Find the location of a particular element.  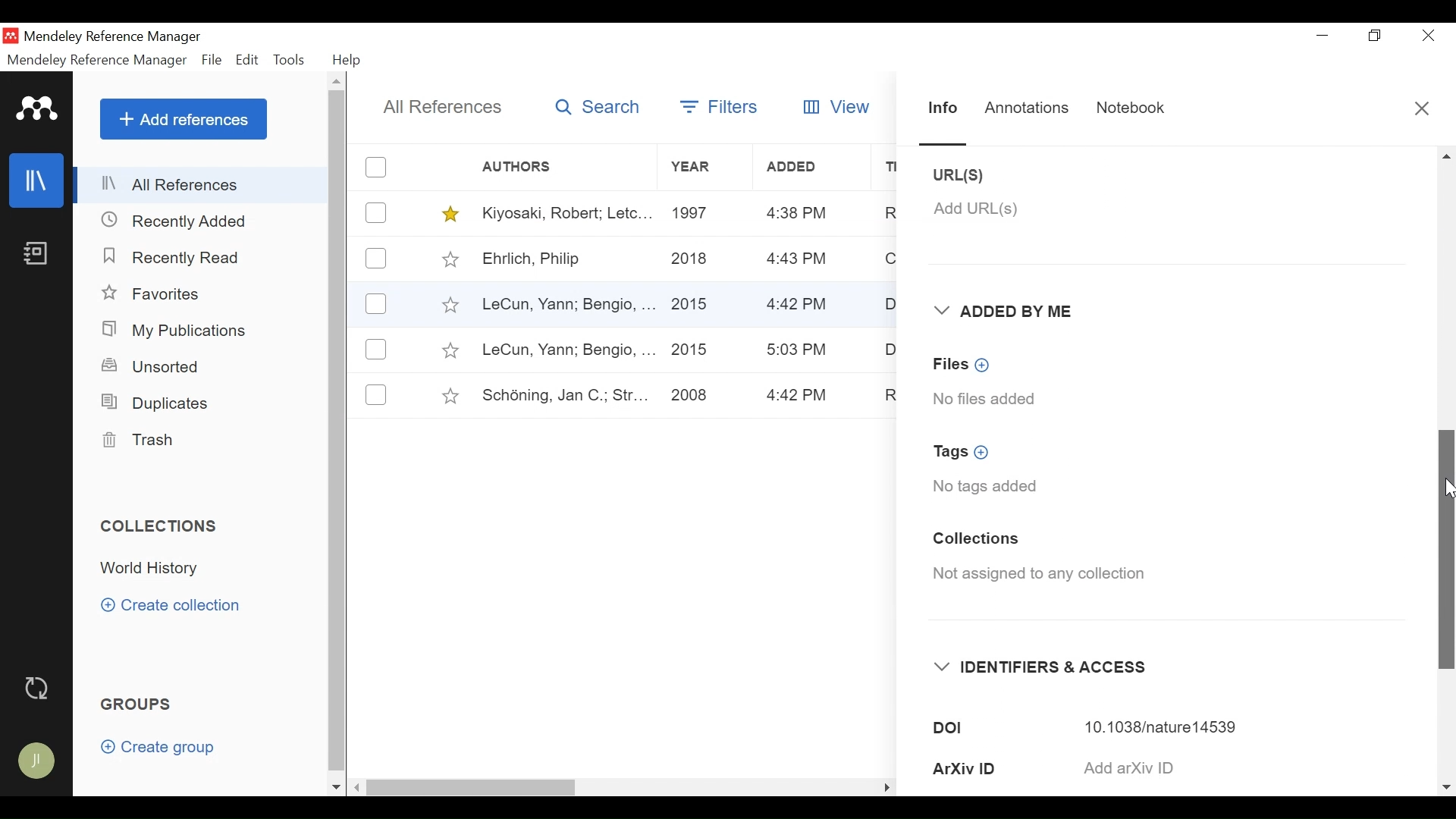

Sync is located at coordinates (40, 689).